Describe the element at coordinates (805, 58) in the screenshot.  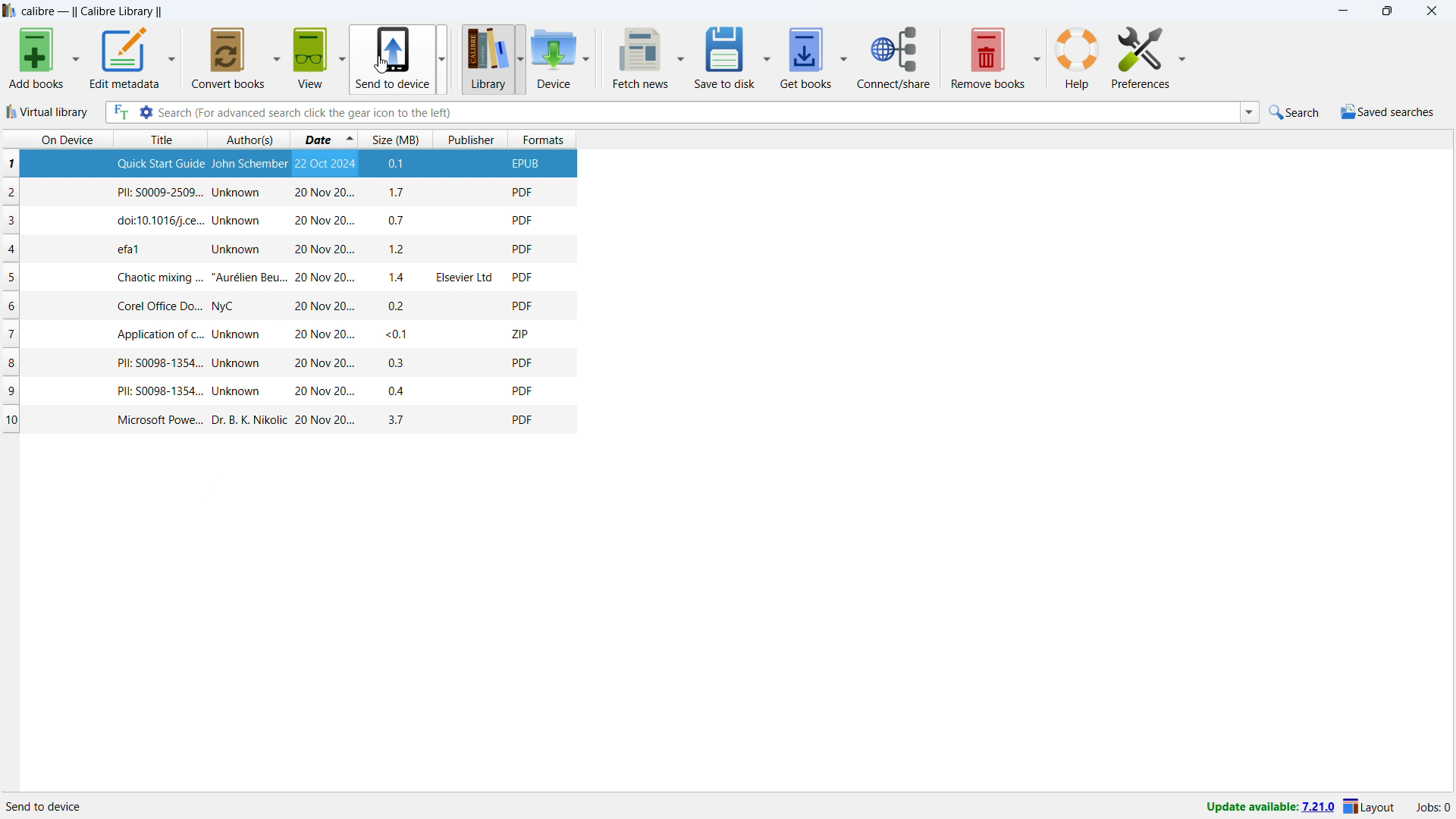
I see `get books` at that location.